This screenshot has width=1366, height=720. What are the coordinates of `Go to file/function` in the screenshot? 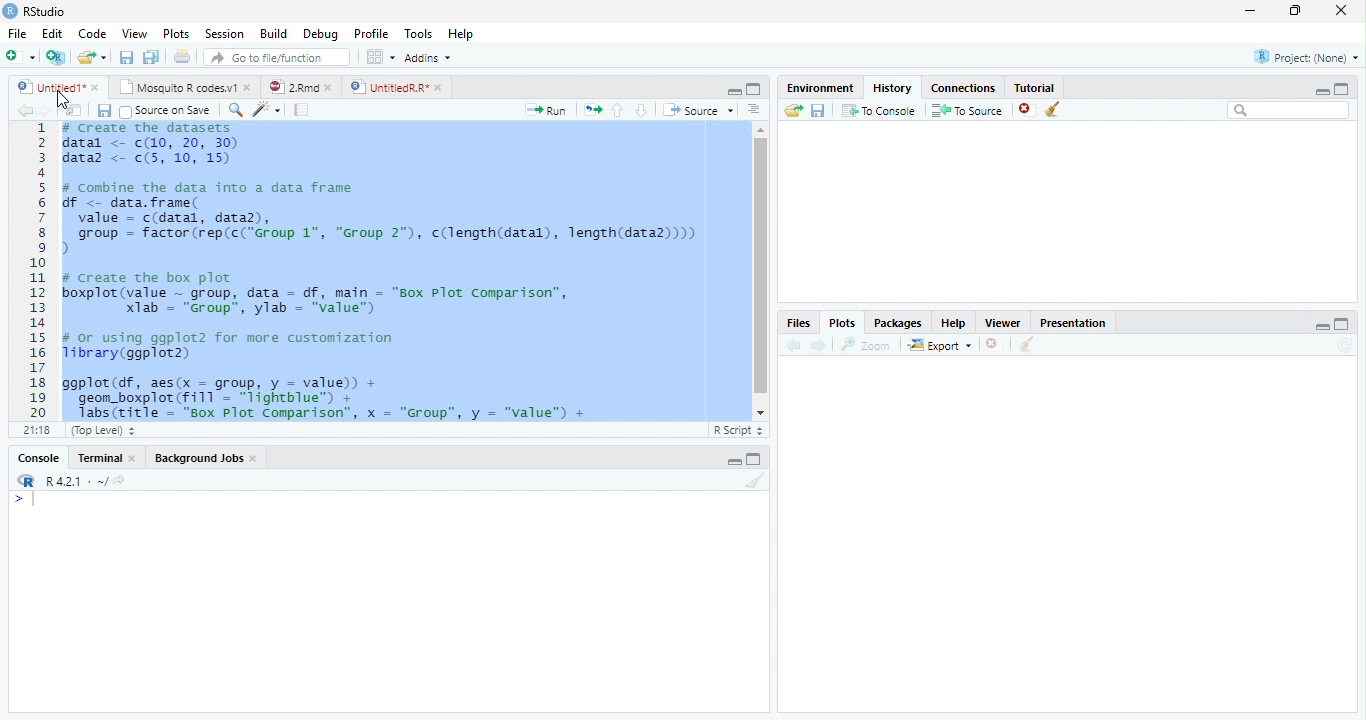 It's located at (278, 57).